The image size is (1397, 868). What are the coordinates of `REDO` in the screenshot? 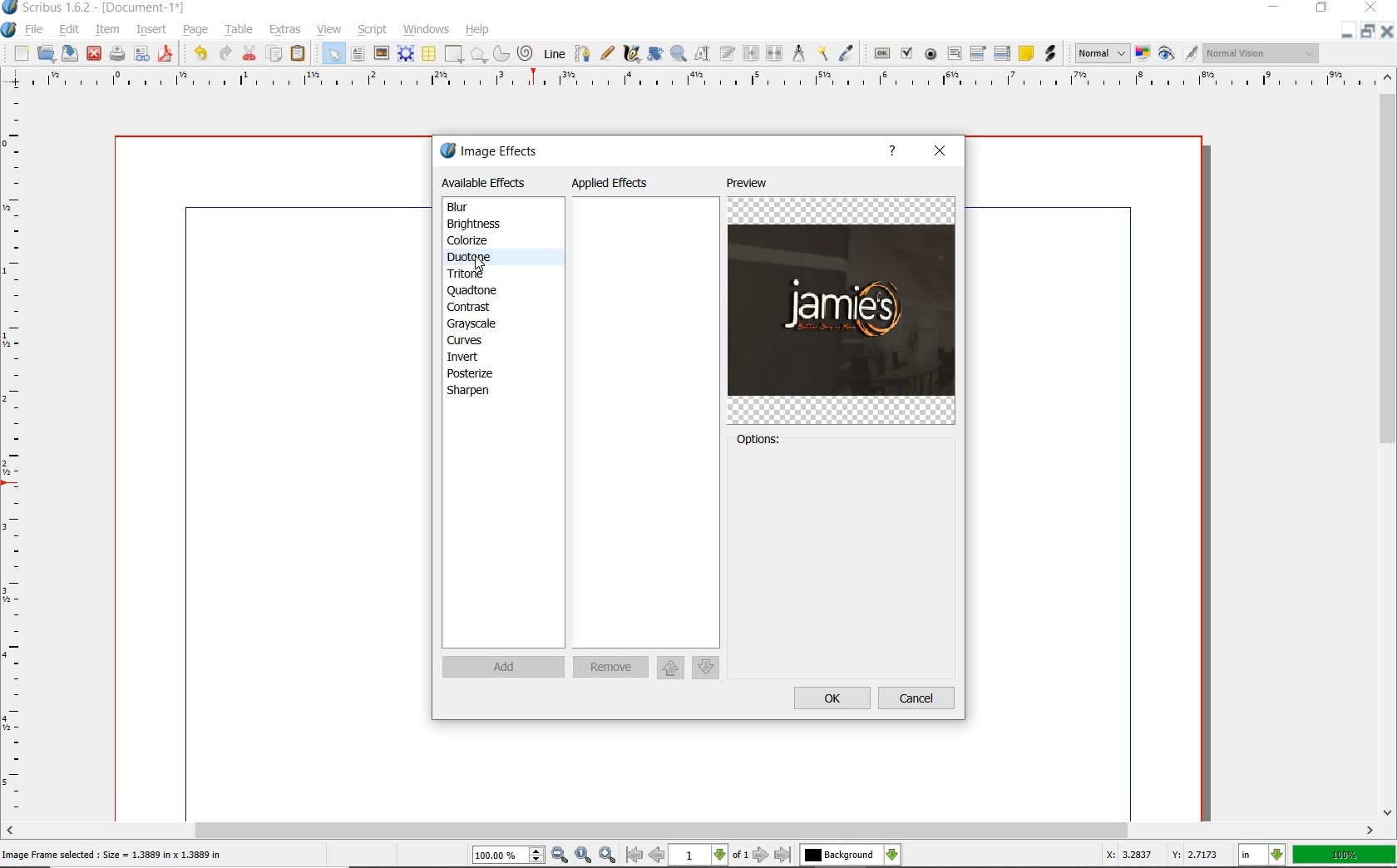 It's located at (199, 53).